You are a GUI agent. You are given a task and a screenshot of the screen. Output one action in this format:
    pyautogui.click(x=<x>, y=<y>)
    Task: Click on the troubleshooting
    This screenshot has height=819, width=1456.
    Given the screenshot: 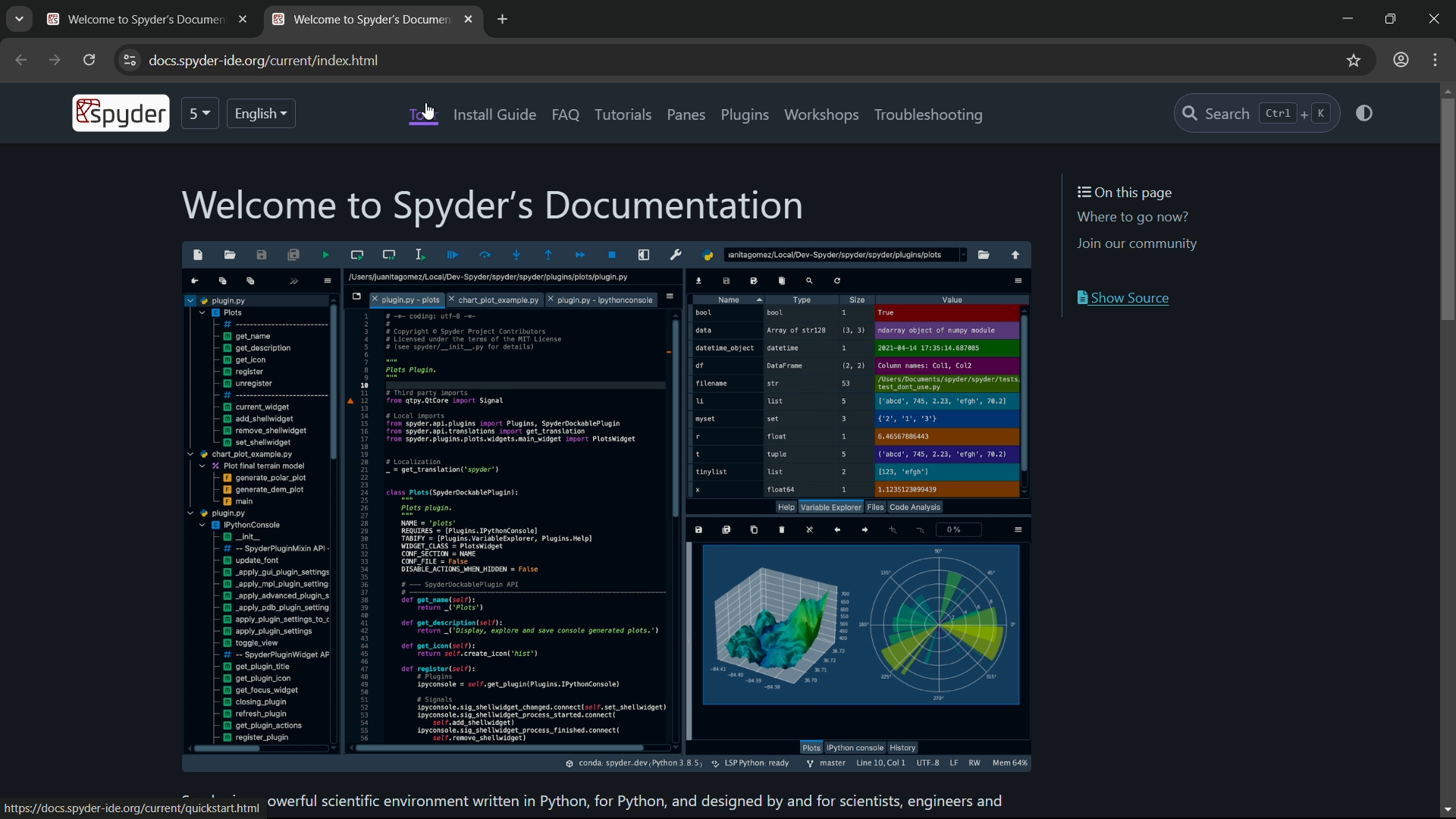 What is the action you would take?
    pyautogui.click(x=930, y=115)
    